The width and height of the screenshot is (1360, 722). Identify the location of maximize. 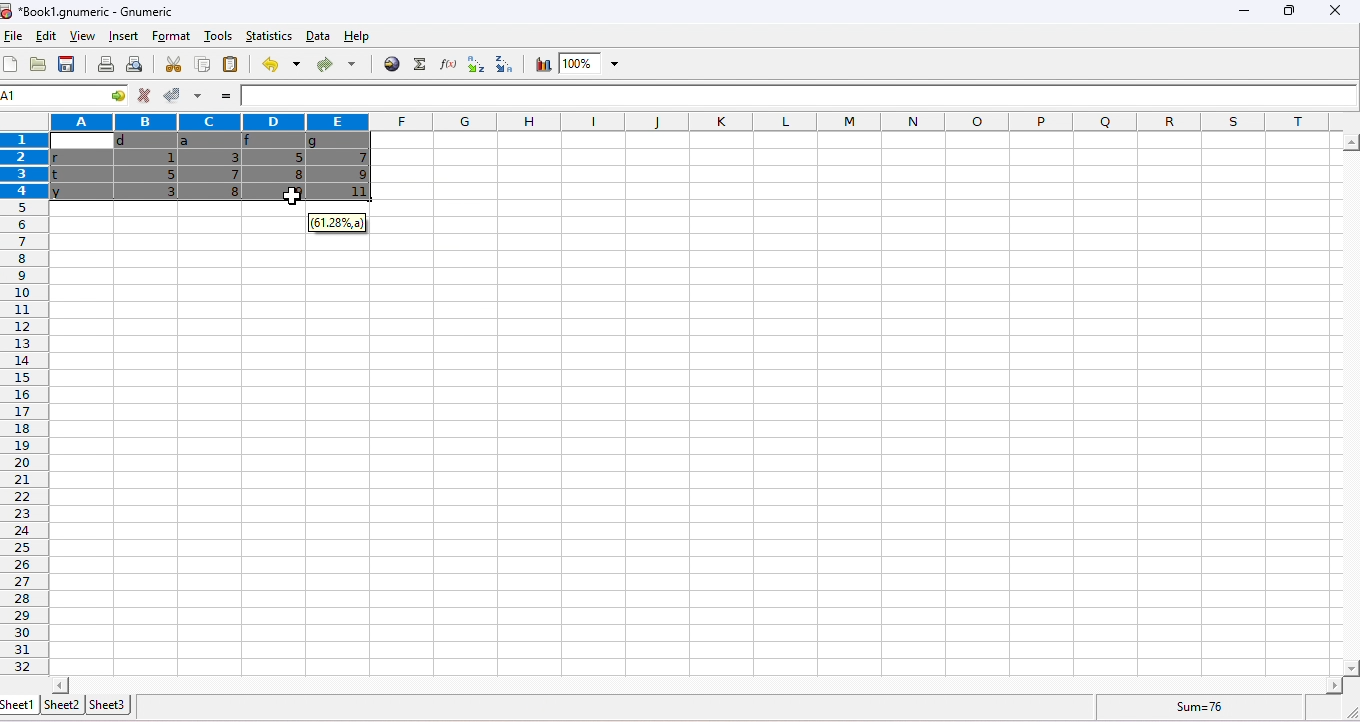
(1286, 11).